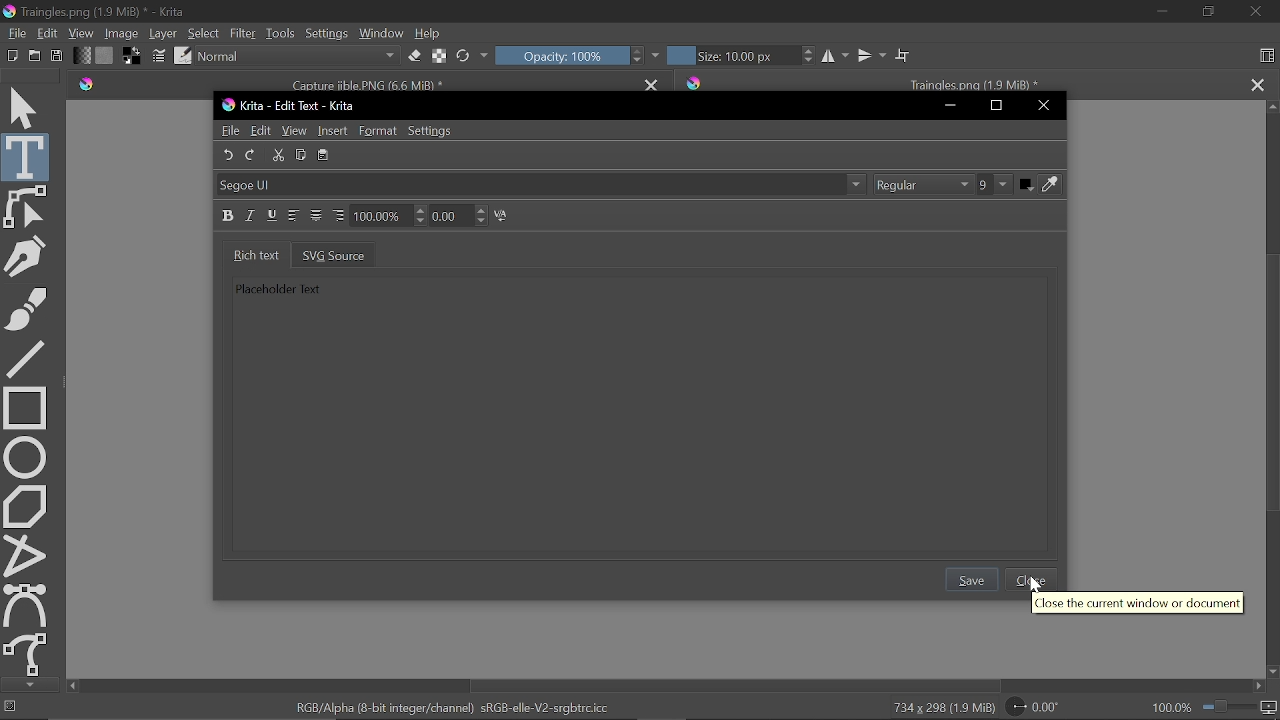  Describe the element at coordinates (382, 35) in the screenshot. I see `Window` at that location.